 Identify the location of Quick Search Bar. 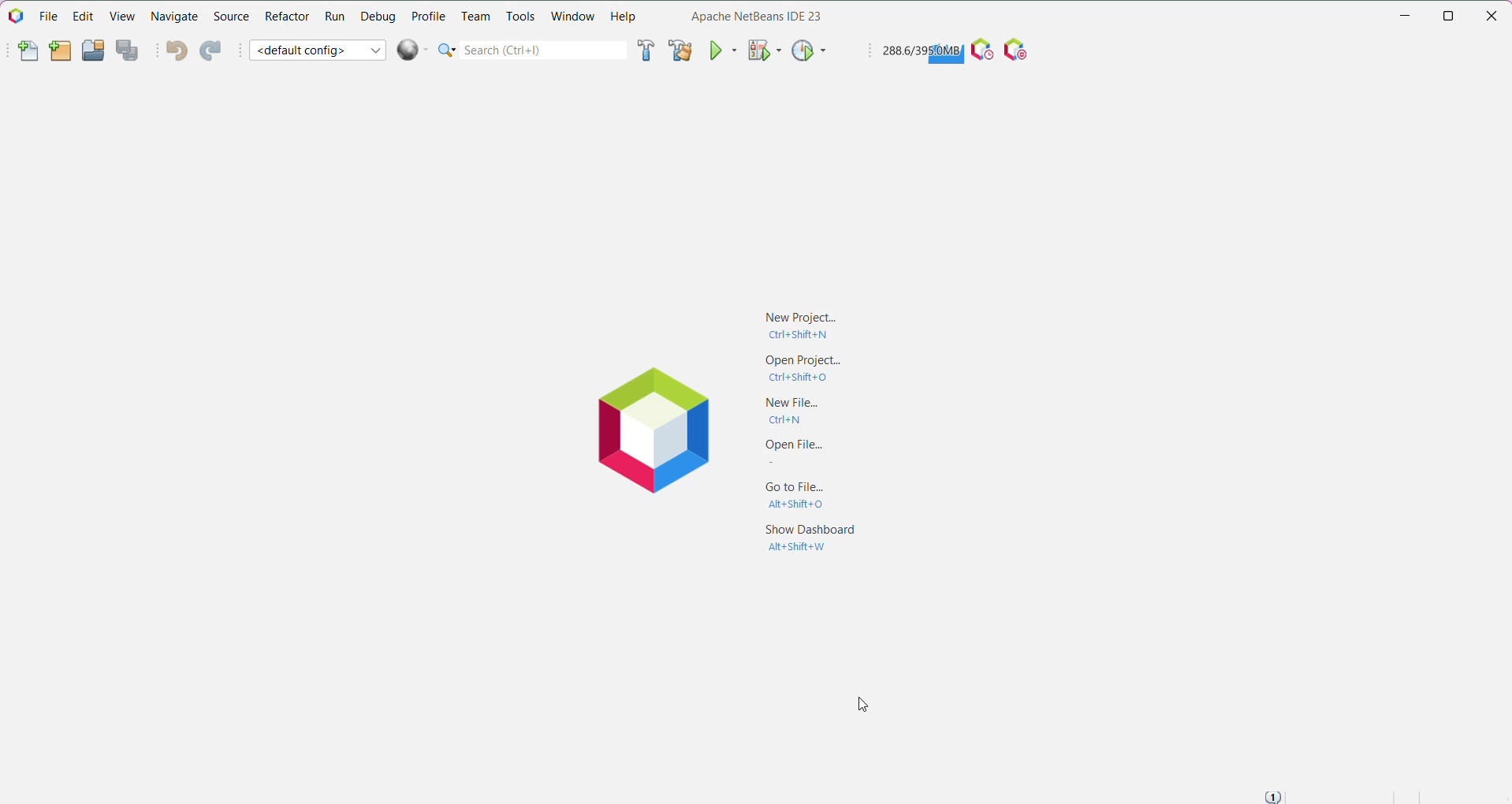
(531, 50).